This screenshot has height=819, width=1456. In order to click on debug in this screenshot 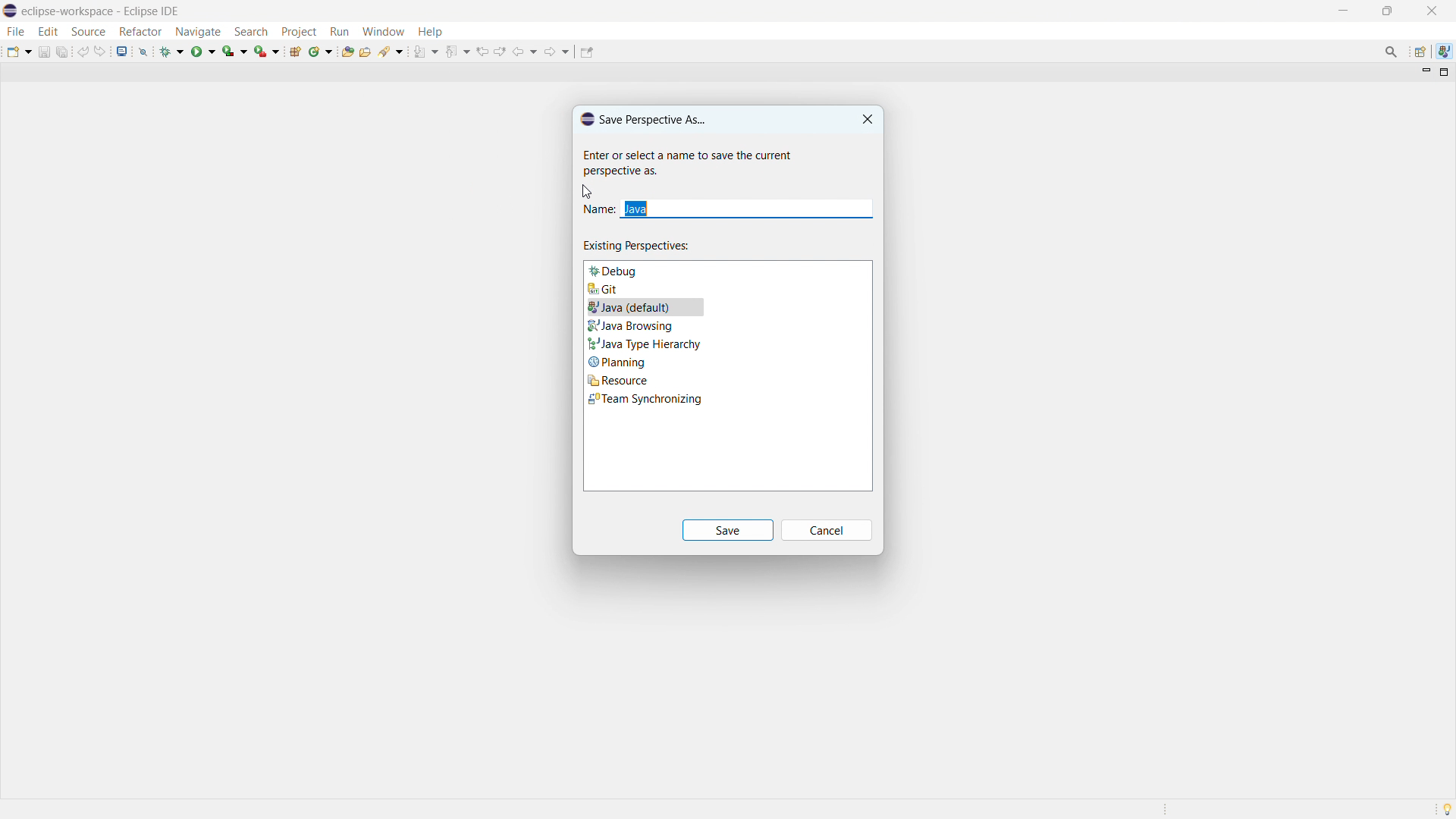, I will do `click(727, 269)`.